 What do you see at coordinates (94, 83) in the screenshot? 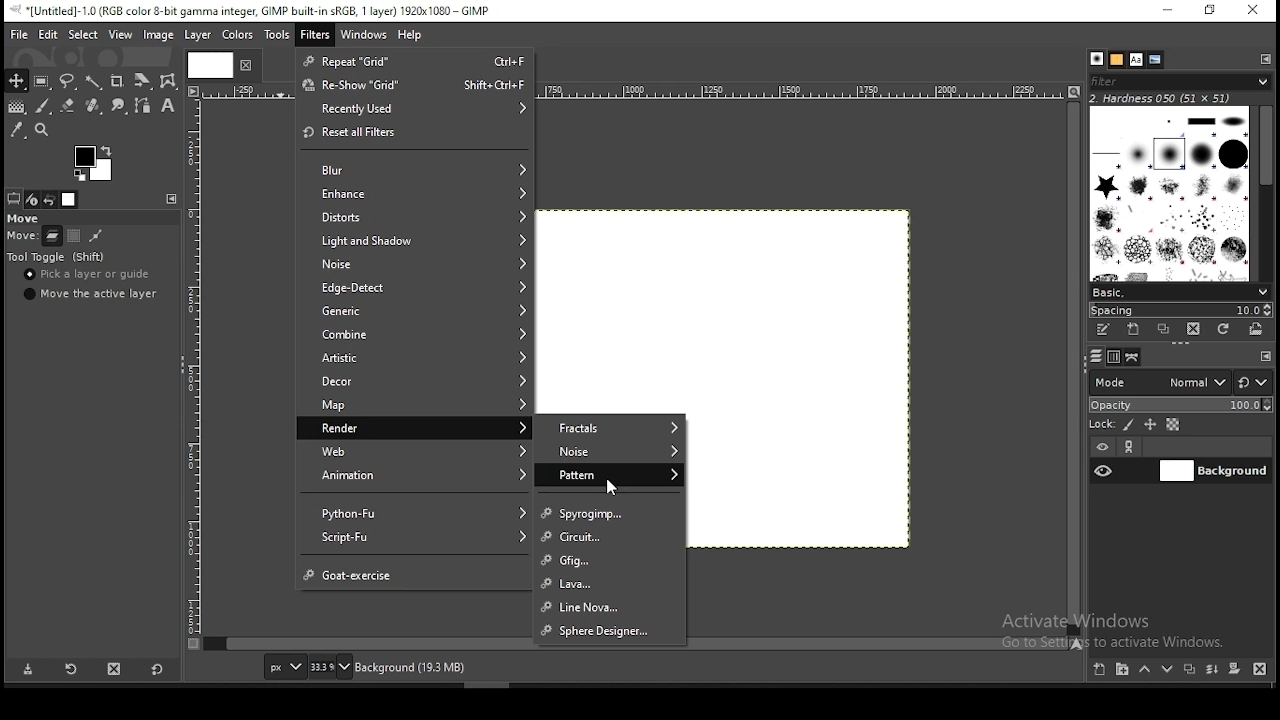
I see `fuzzy select tool` at bounding box center [94, 83].